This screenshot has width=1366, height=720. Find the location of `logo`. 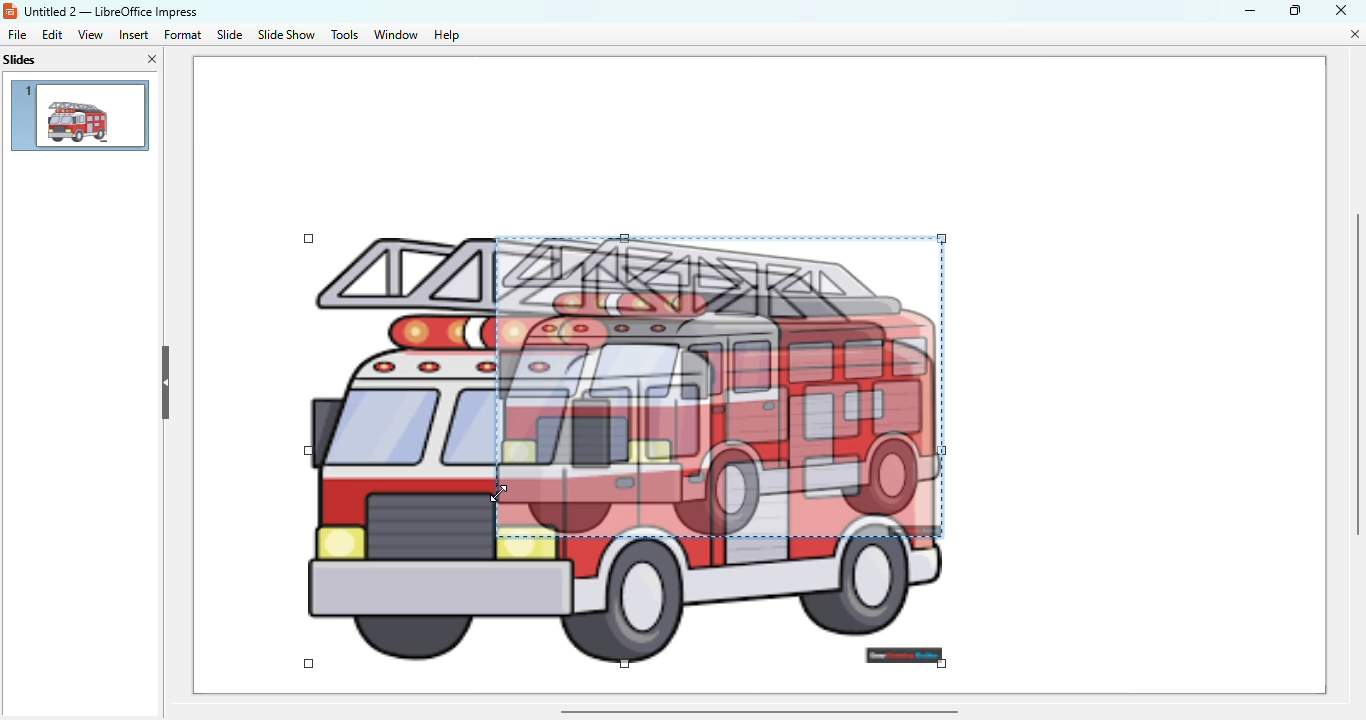

logo is located at coordinates (9, 11).